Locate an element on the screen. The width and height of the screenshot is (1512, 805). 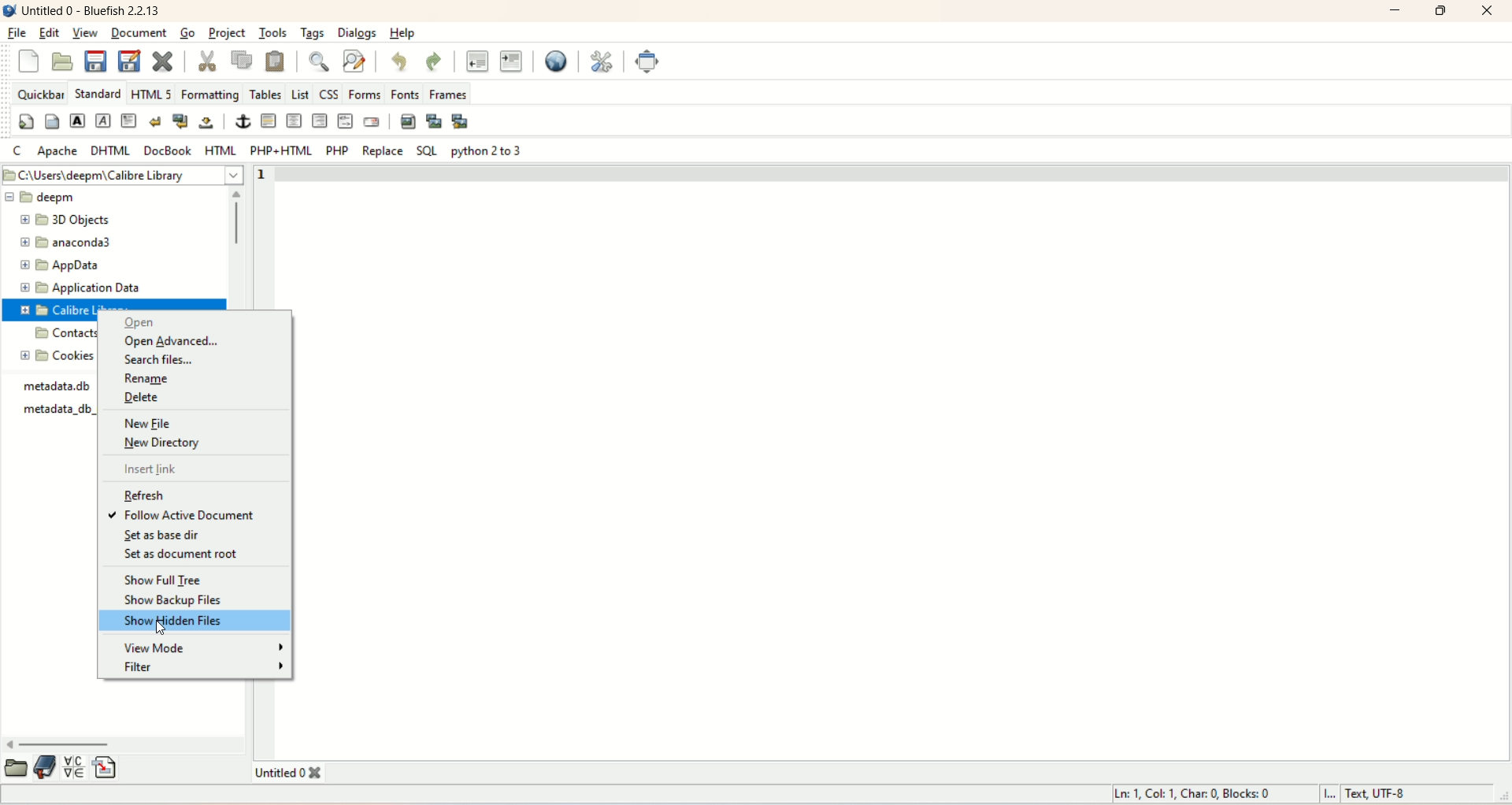
indent is located at coordinates (510, 60).